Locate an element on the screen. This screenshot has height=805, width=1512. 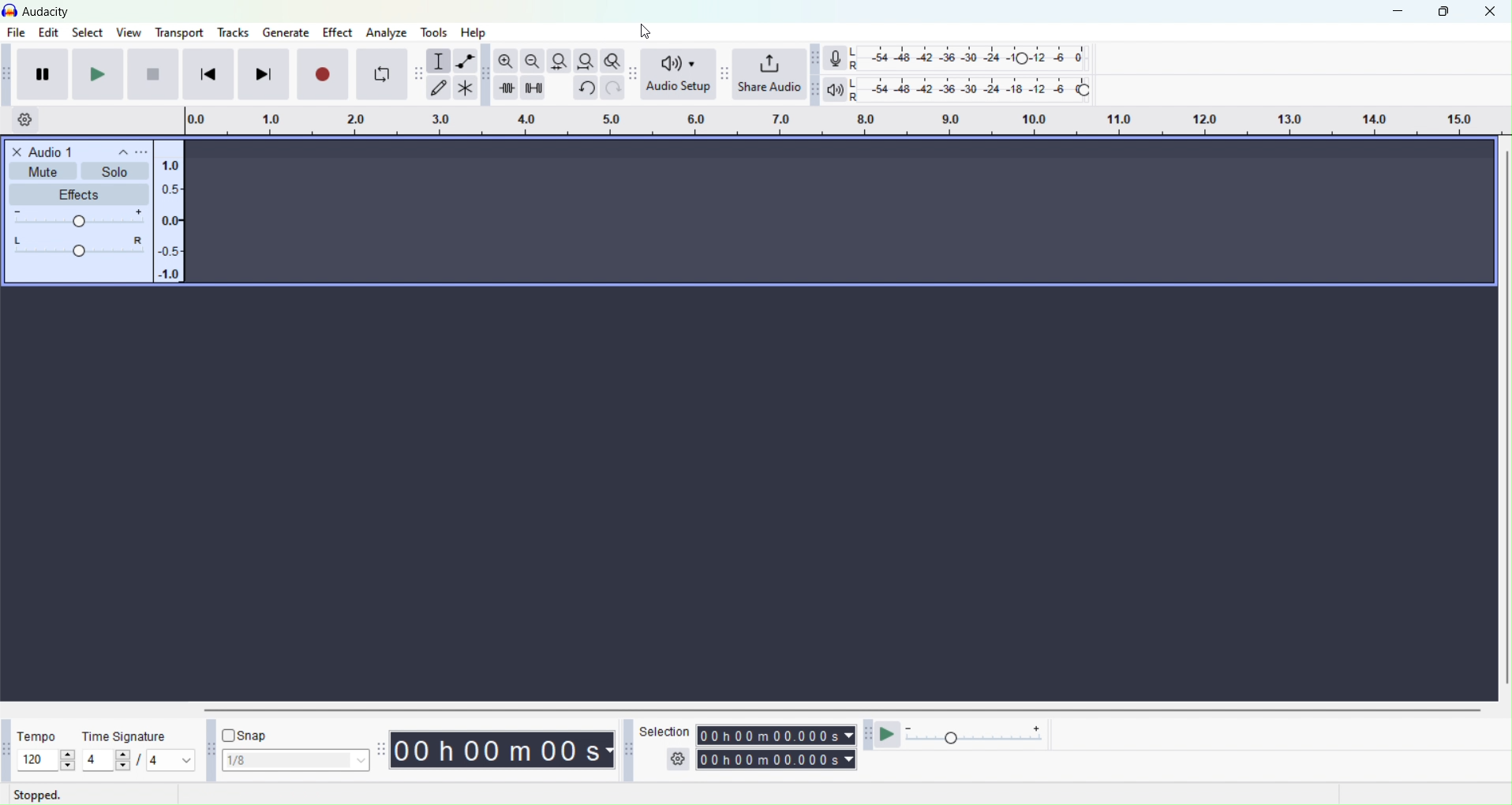
increase beat per measure is located at coordinates (121, 754).